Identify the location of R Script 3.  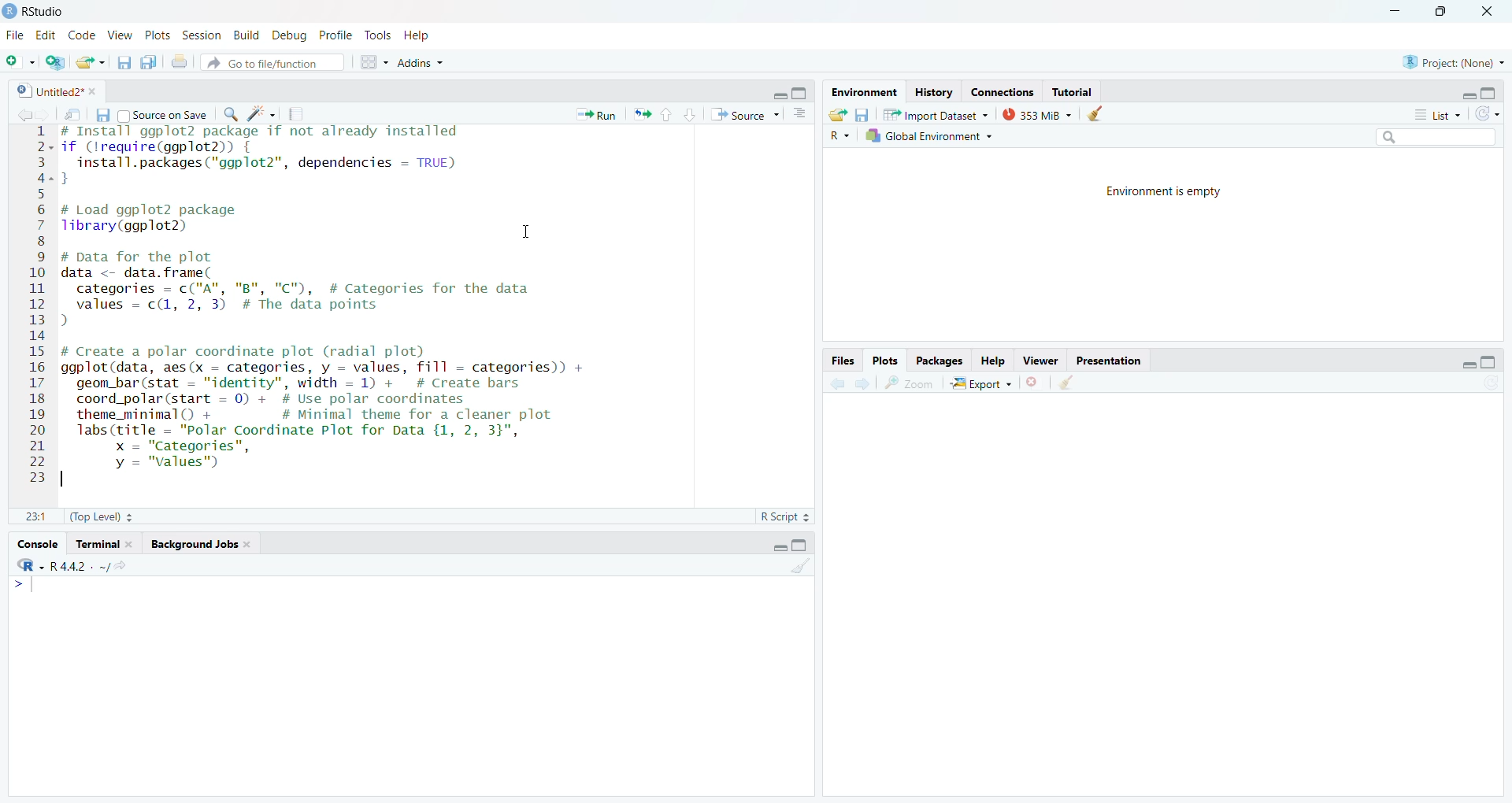
(787, 515).